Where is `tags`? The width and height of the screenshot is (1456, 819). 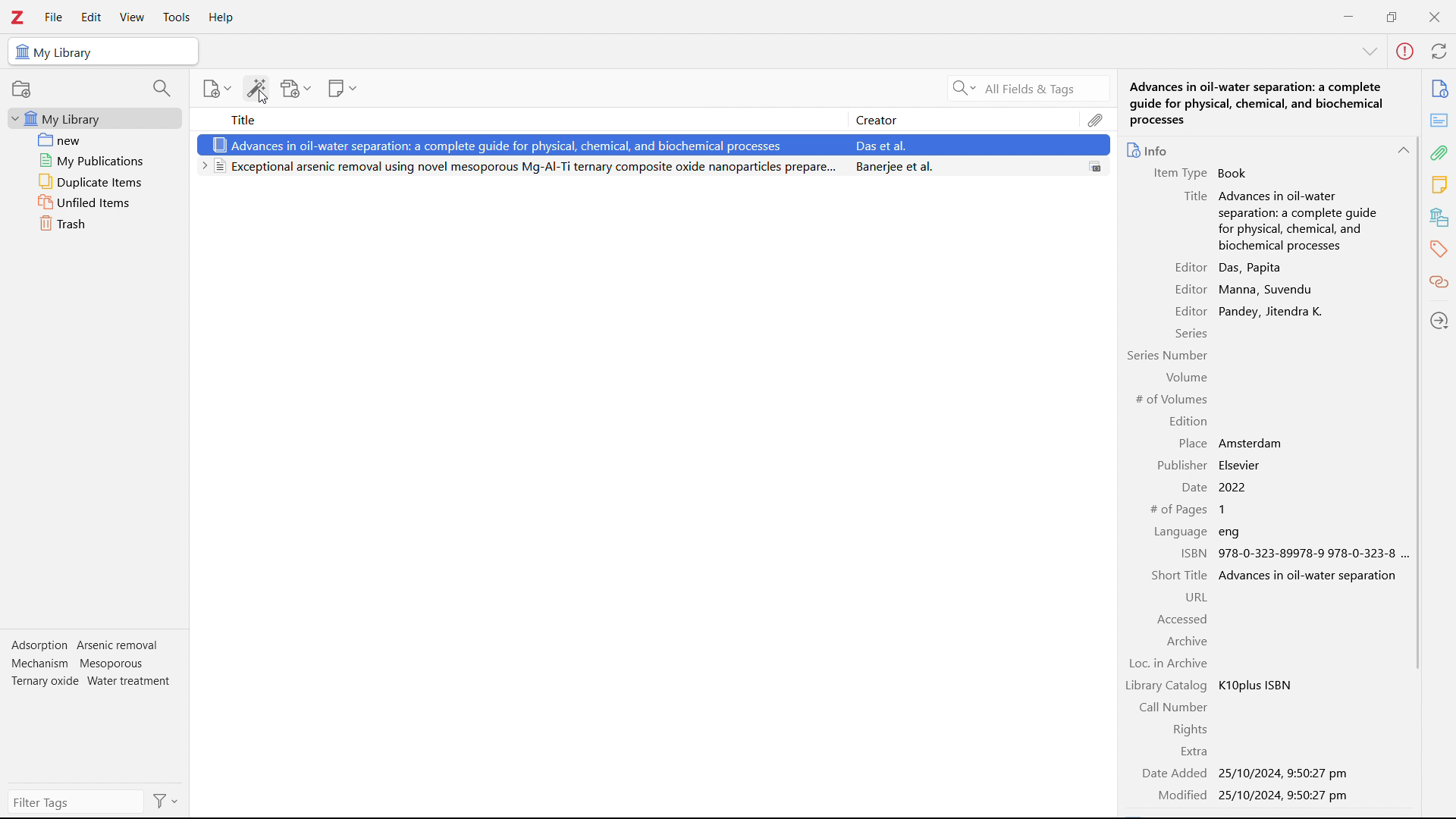
tags is located at coordinates (93, 667).